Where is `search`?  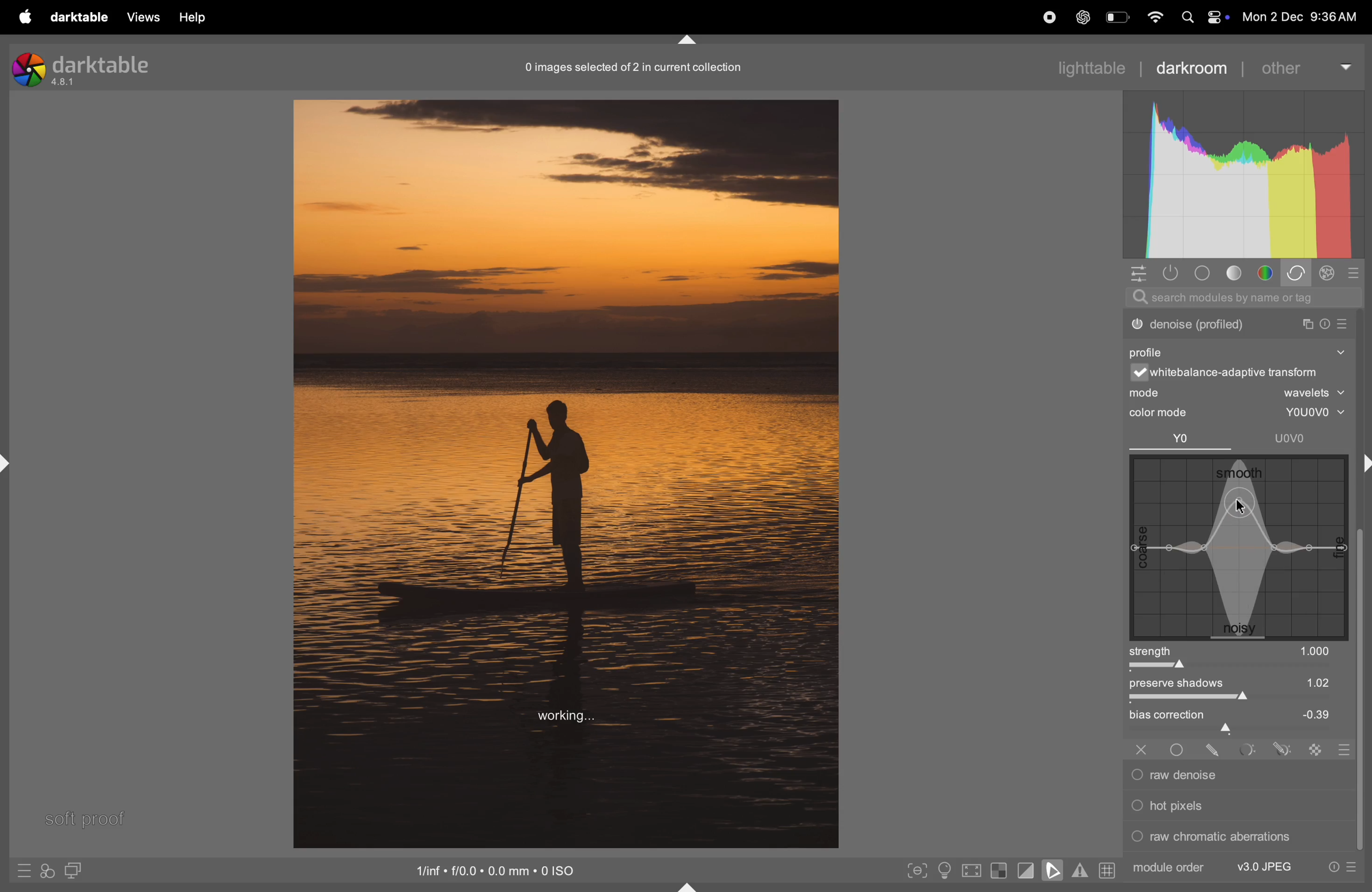 search is located at coordinates (1245, 298).